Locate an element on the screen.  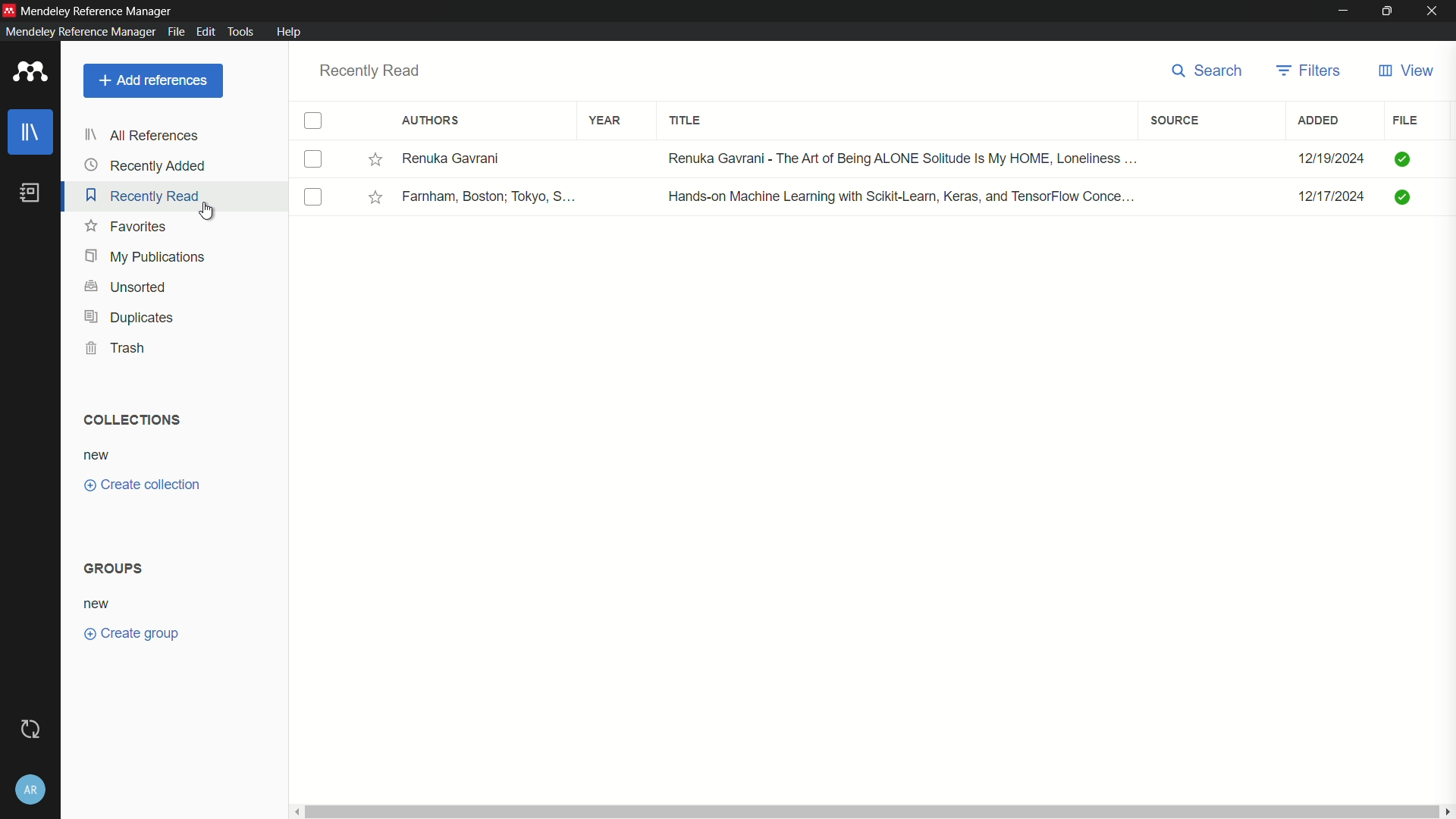
library is located at coordinates (32, 133).